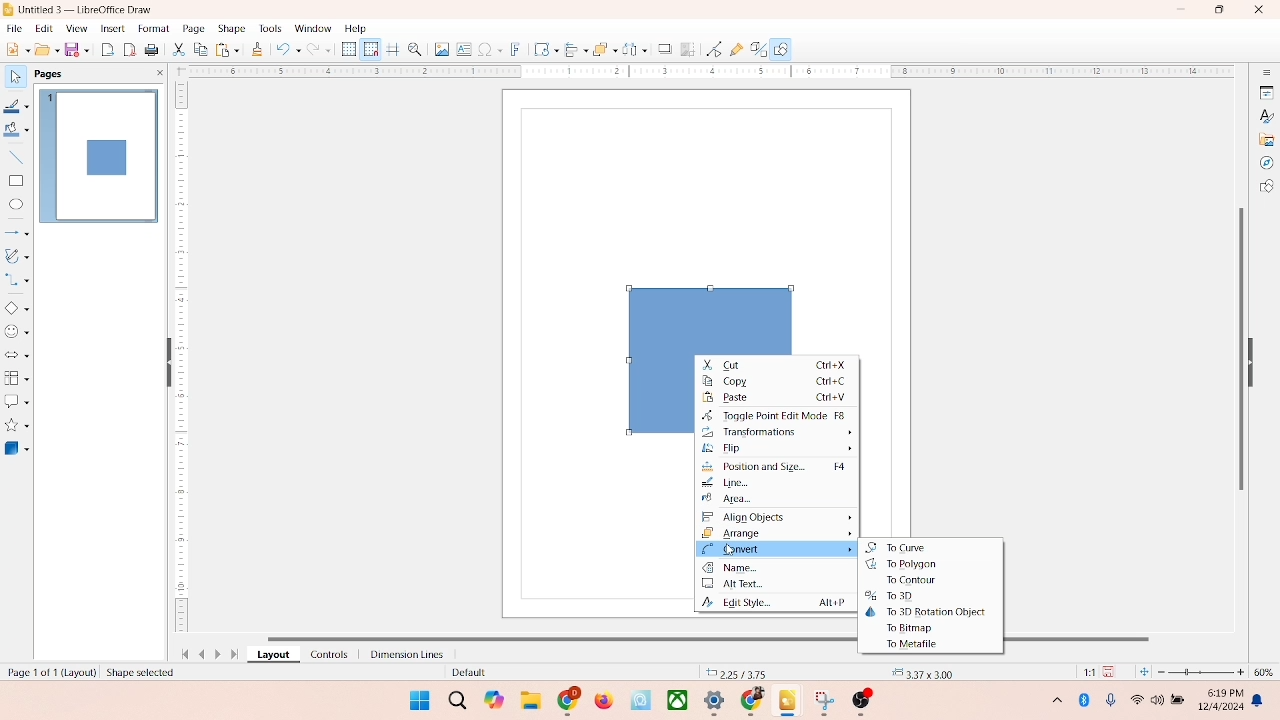  Describe the element at coordinates (79, 49) in the screenshot. I see `save` at that location.